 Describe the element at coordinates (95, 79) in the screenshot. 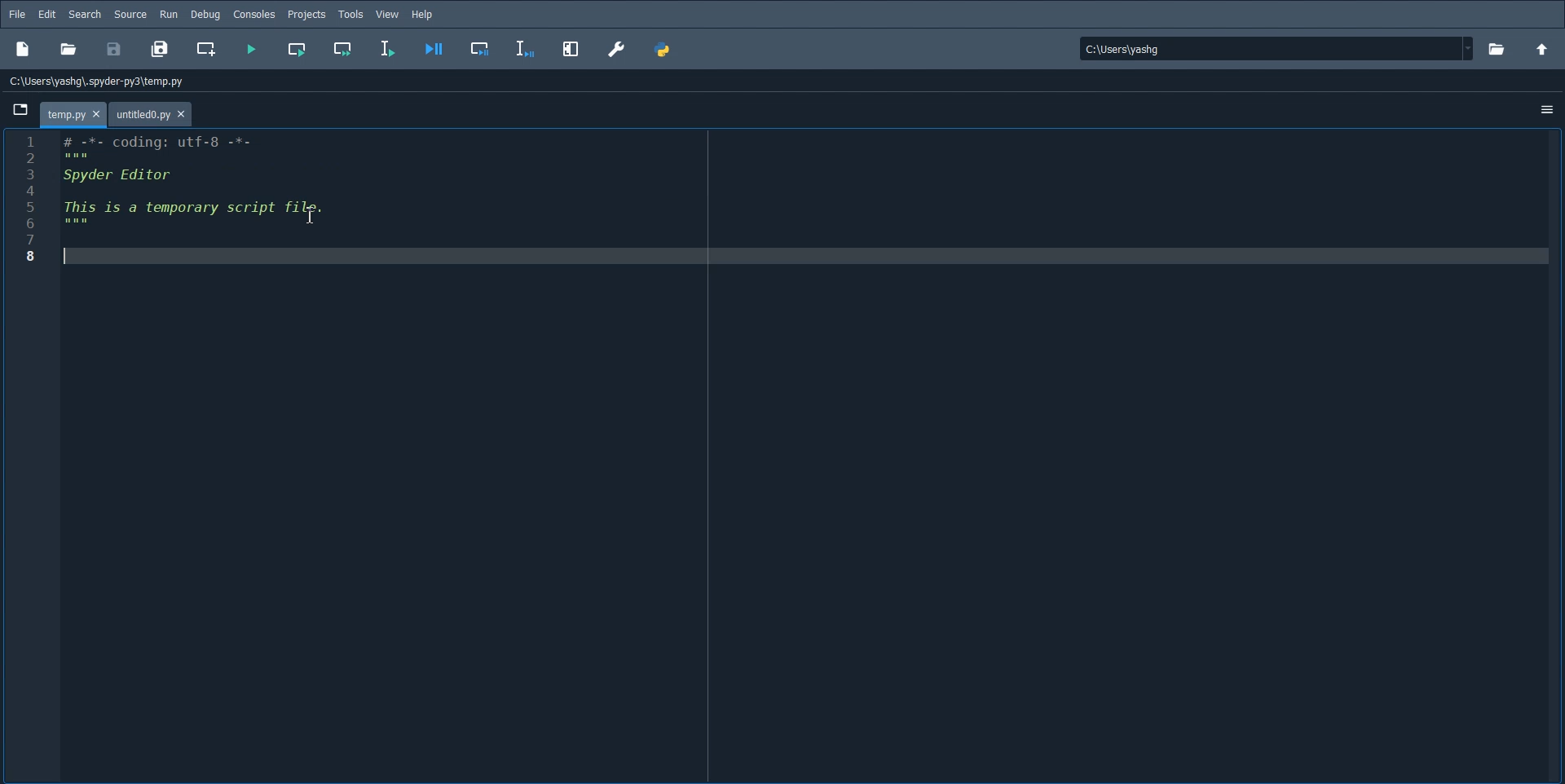

I see `C:\Users\yashg\untitiedo.py` at that location.